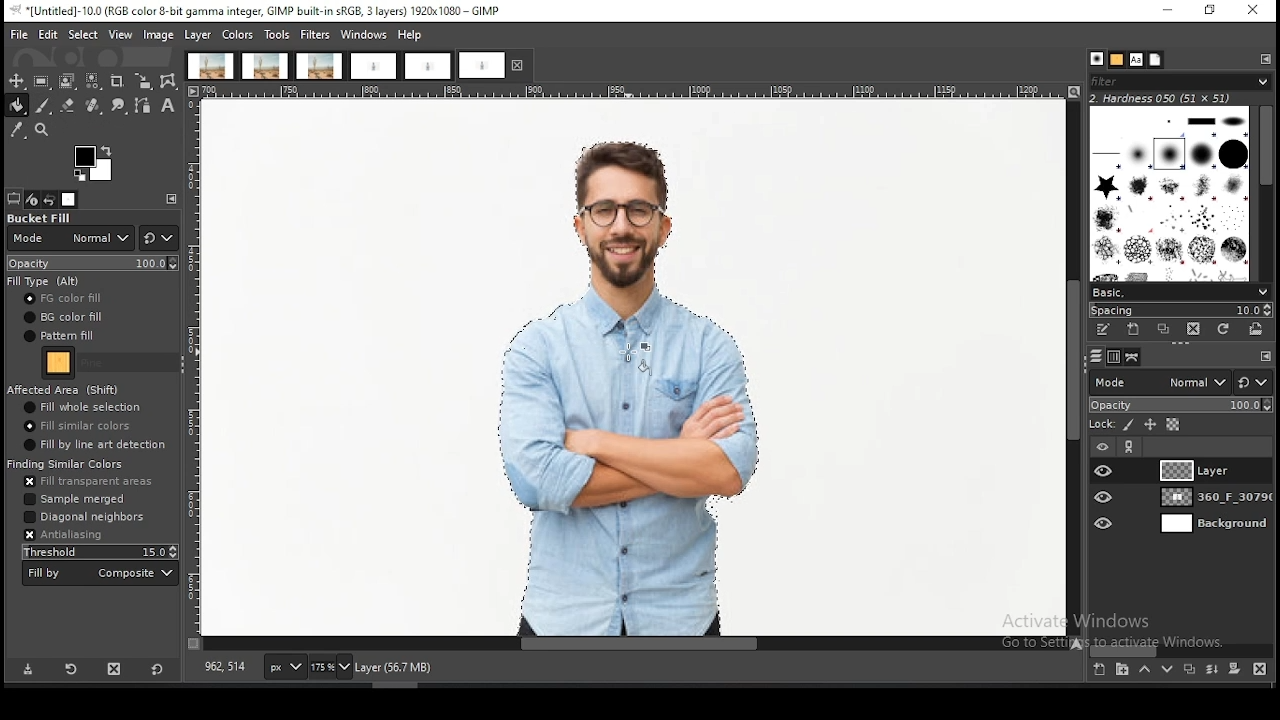 The width and height of the screenshot is (1280, 720). I want to click on duplicate brush, so click(1165, 331).